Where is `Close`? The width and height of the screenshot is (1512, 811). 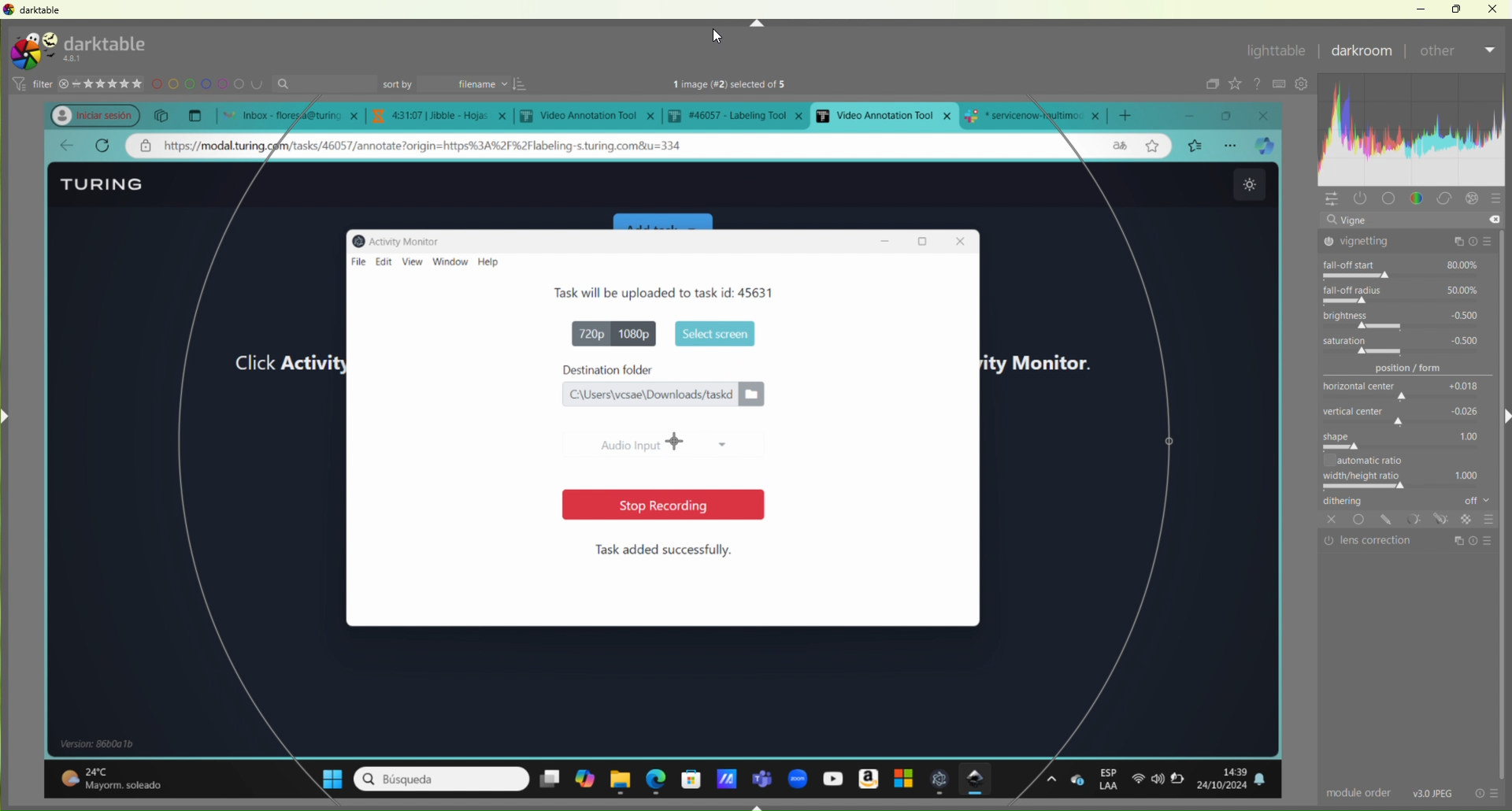 Close is located at coordinates (1492, 9).